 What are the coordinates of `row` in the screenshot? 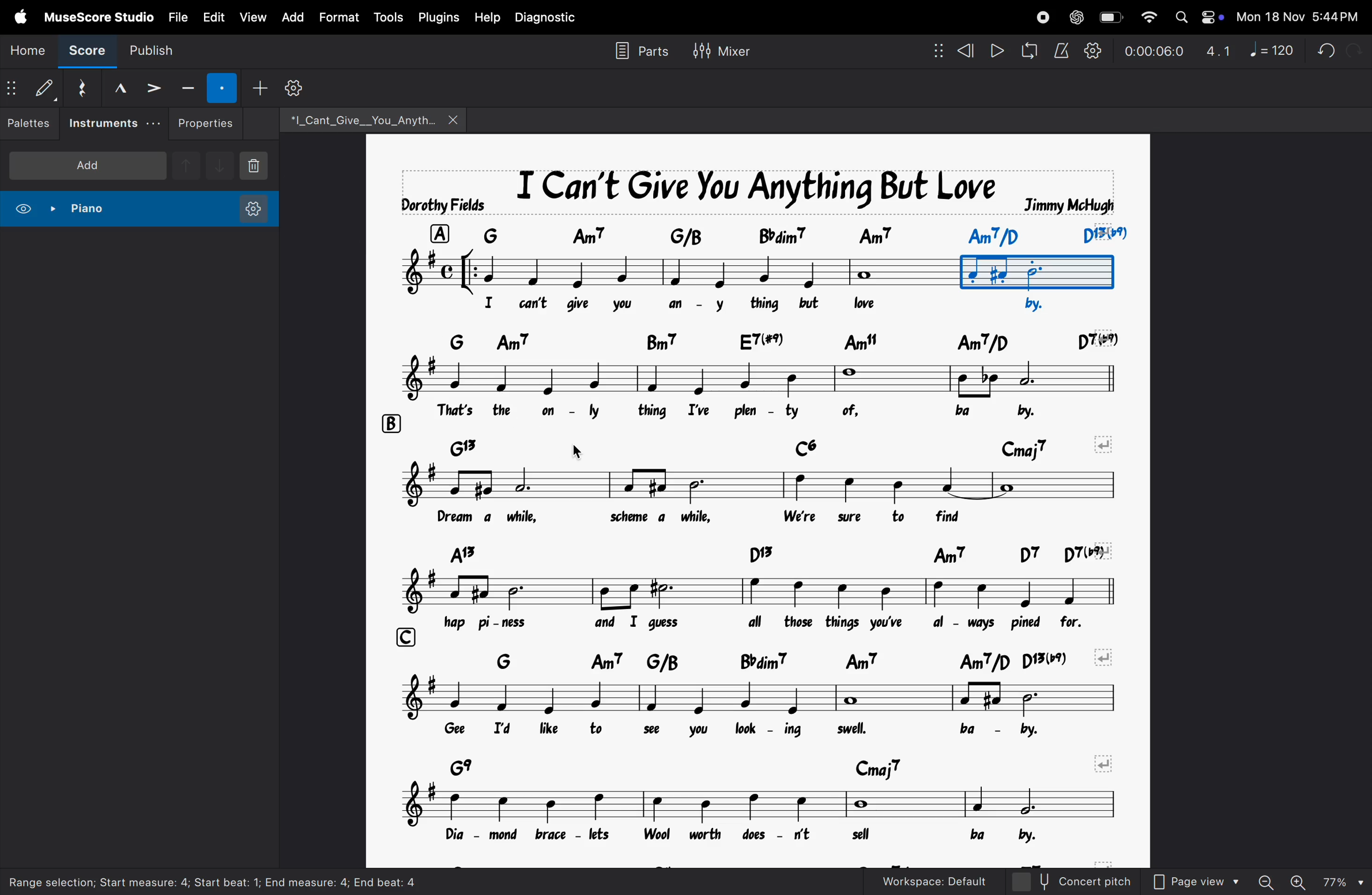 It's located at (455, 341).